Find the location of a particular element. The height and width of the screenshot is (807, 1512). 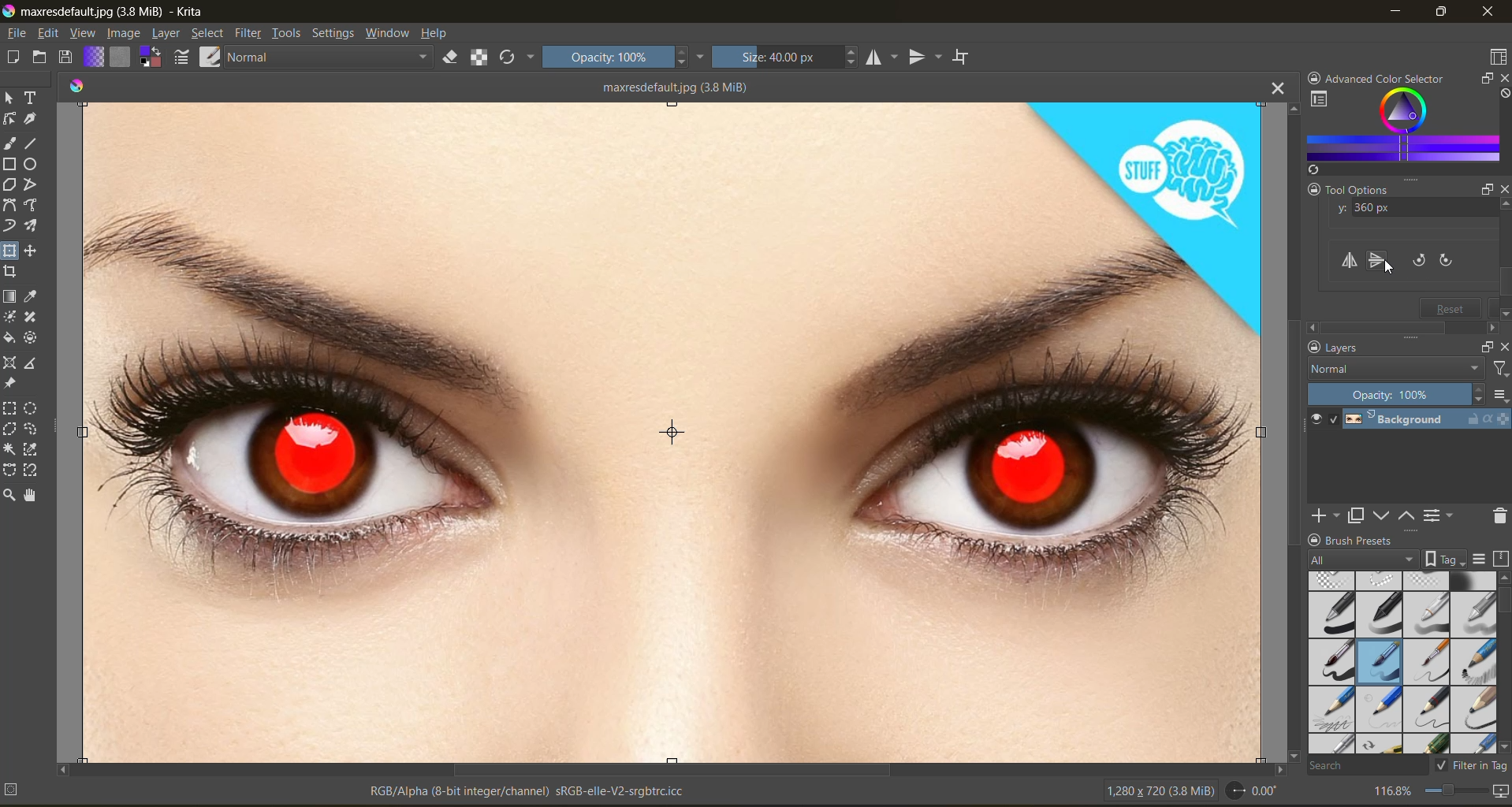

save is located at coordinates (70, 56).